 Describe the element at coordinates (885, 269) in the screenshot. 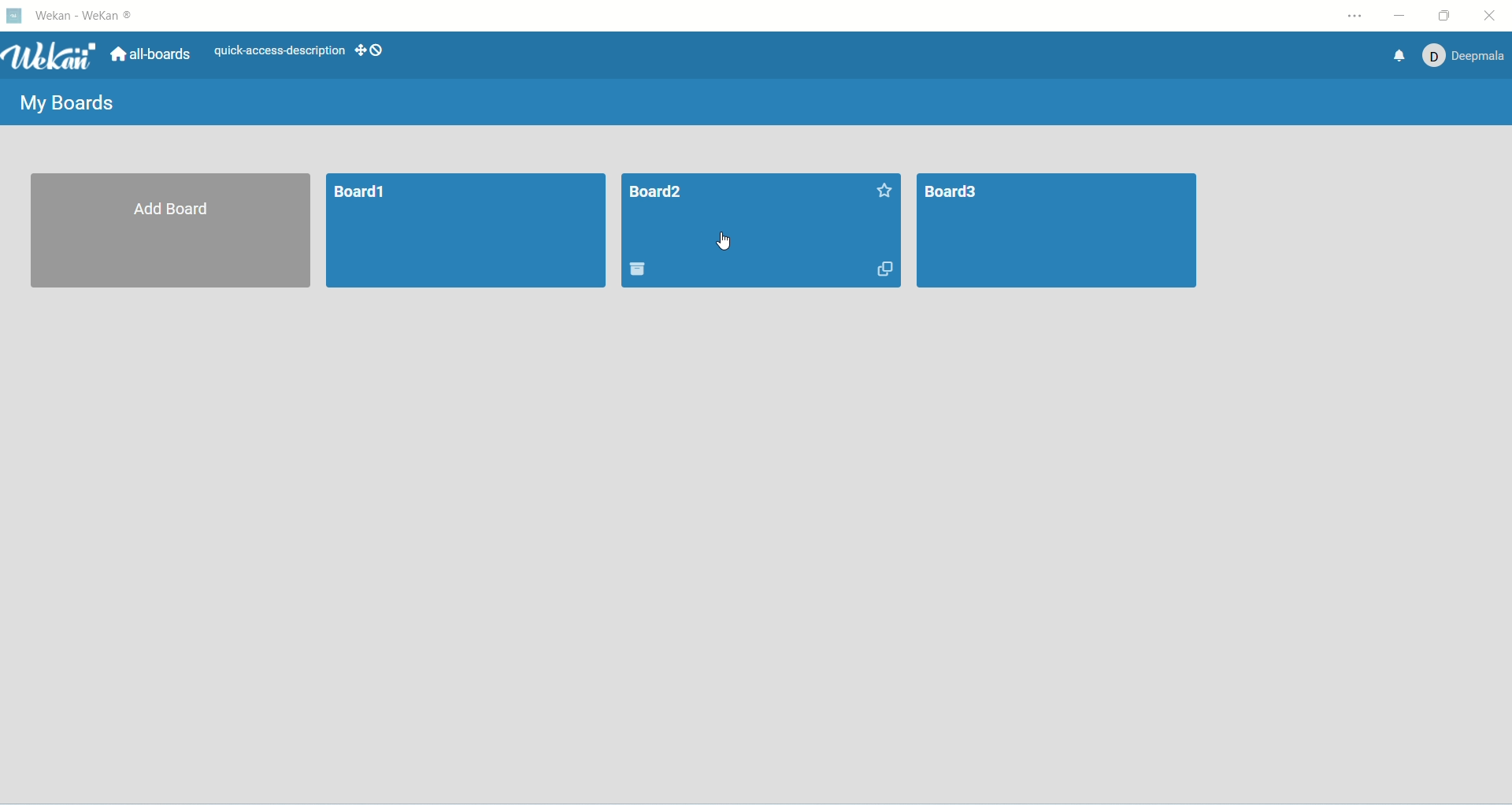

I see `duplicate` at that location.